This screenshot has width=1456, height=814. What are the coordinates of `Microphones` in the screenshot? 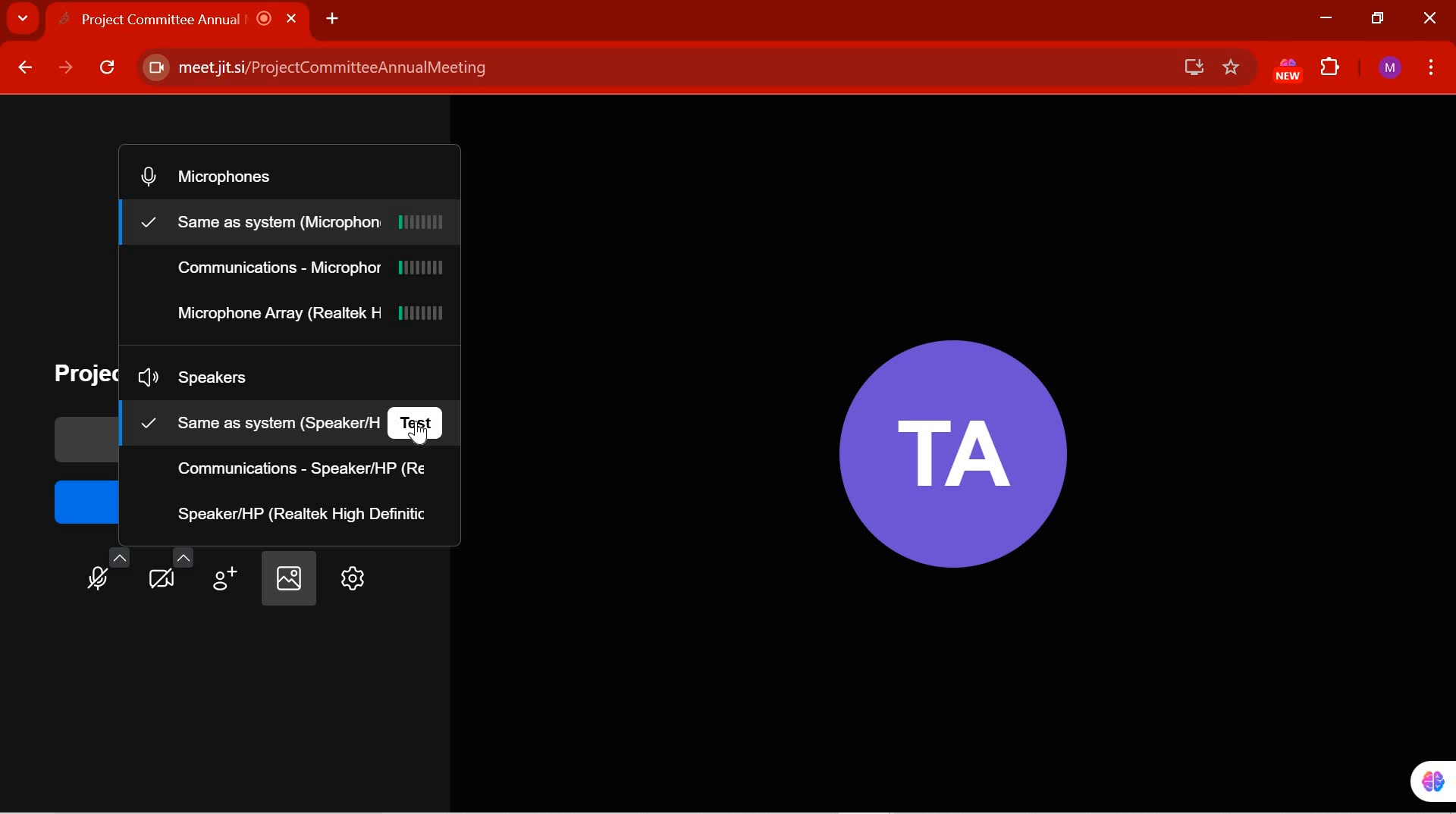 It's located at (224, 176).